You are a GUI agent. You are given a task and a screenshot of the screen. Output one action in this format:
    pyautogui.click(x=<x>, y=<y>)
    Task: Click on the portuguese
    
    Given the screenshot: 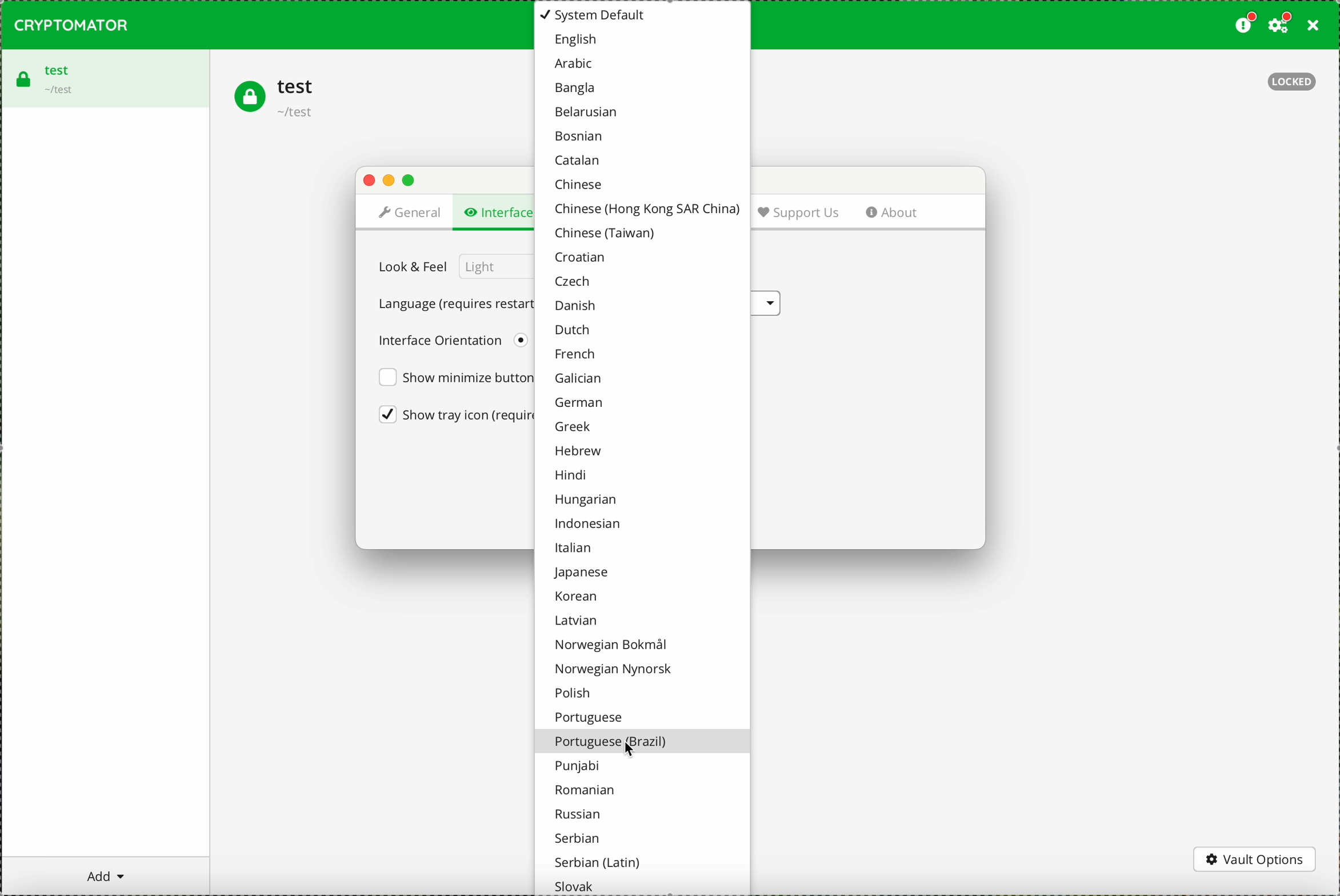 What is the action you would take?
    pyautogui.click(x=589, y=716)
    